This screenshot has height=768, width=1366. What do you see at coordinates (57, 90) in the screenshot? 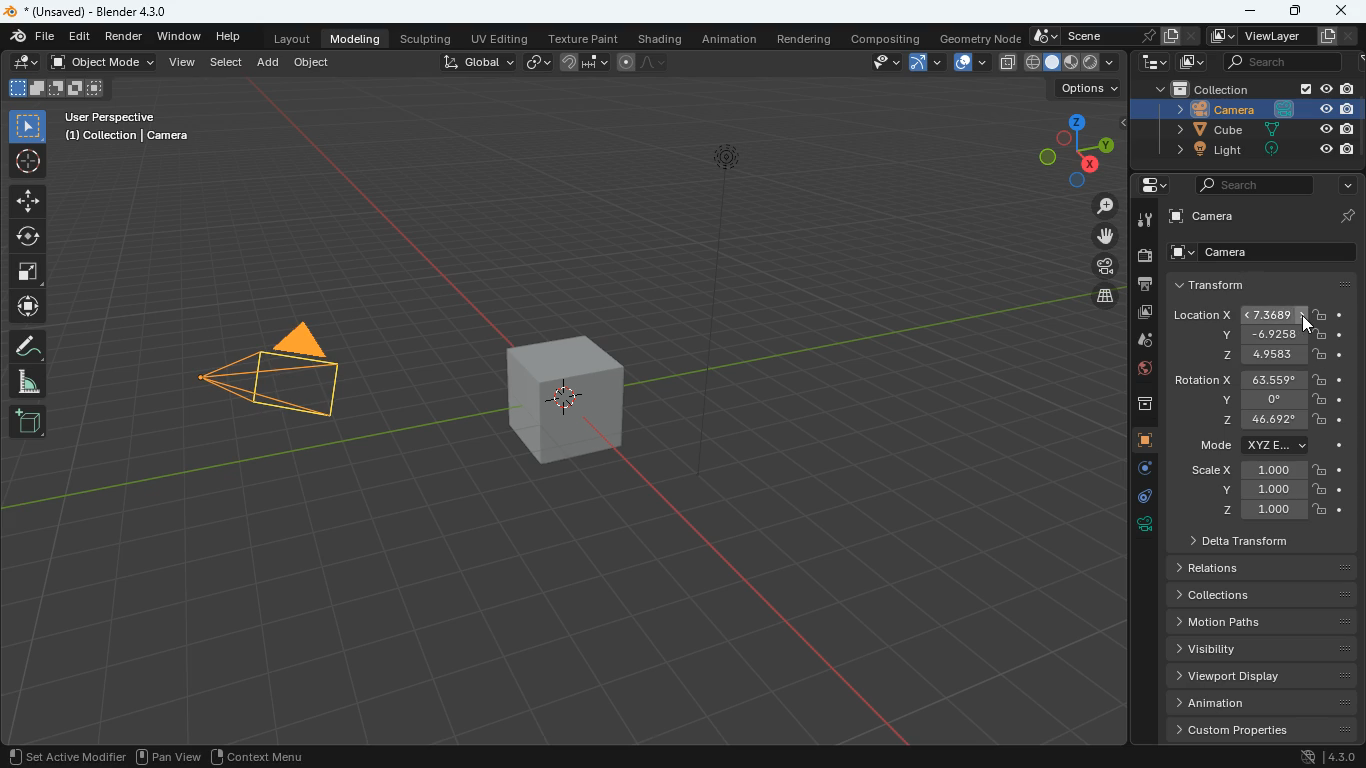
I see `cube` at bounding box center [57, 90].